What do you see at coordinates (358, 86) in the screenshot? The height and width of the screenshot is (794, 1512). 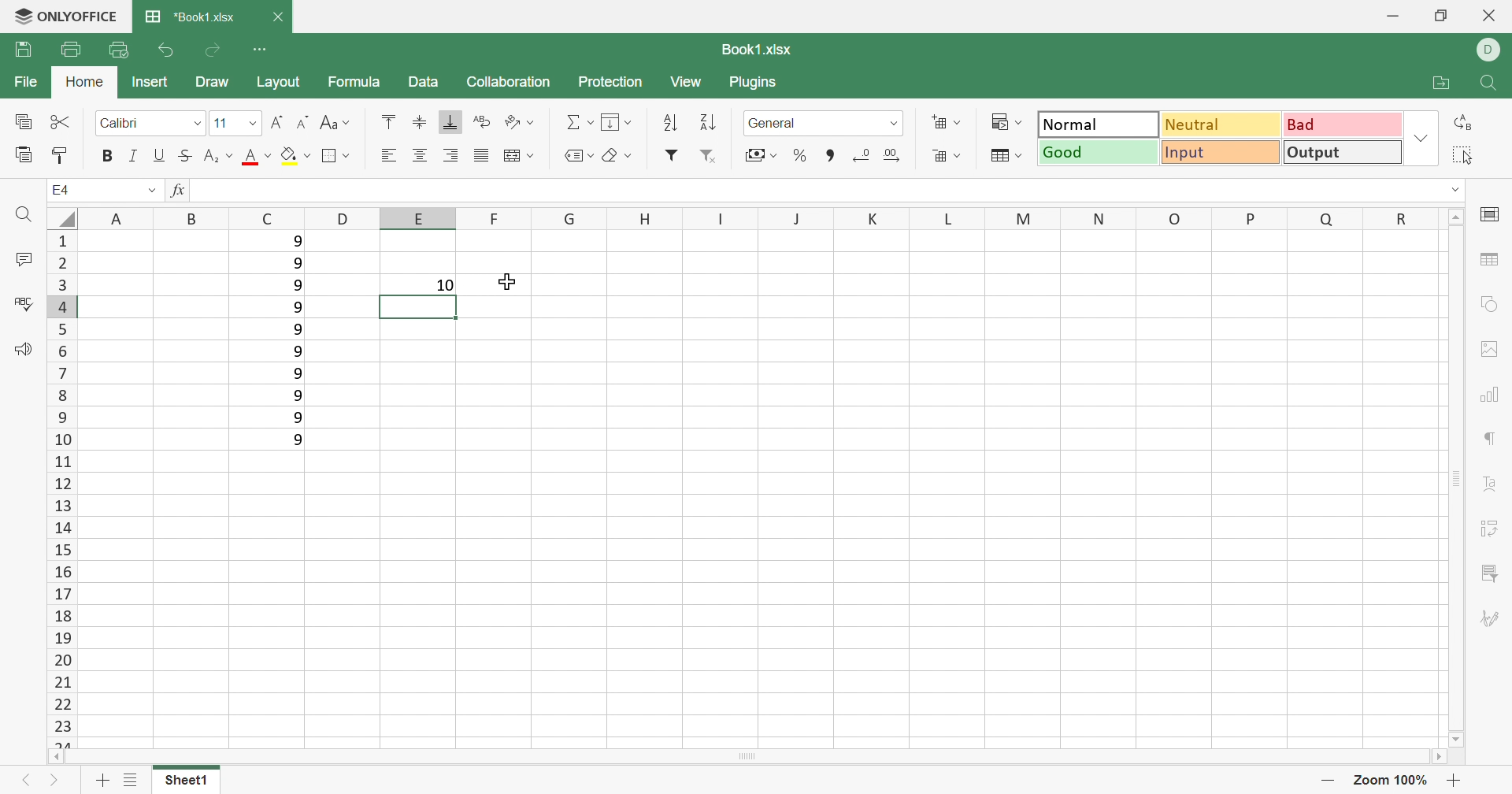 I see `Formula` at bounding box center [358, 86].